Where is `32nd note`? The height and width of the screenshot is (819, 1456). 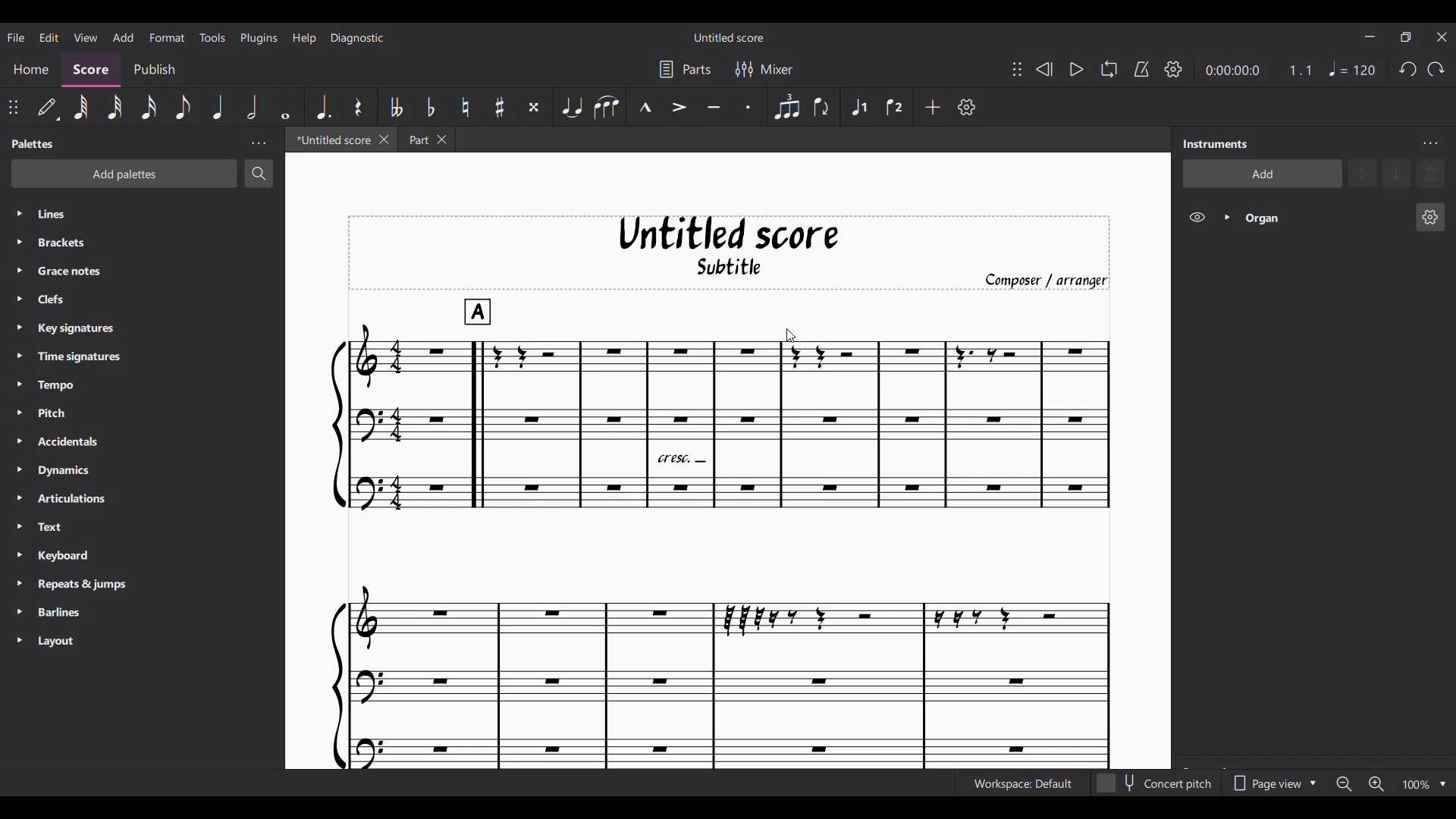 32nd note is located at coordinates (115, 108).